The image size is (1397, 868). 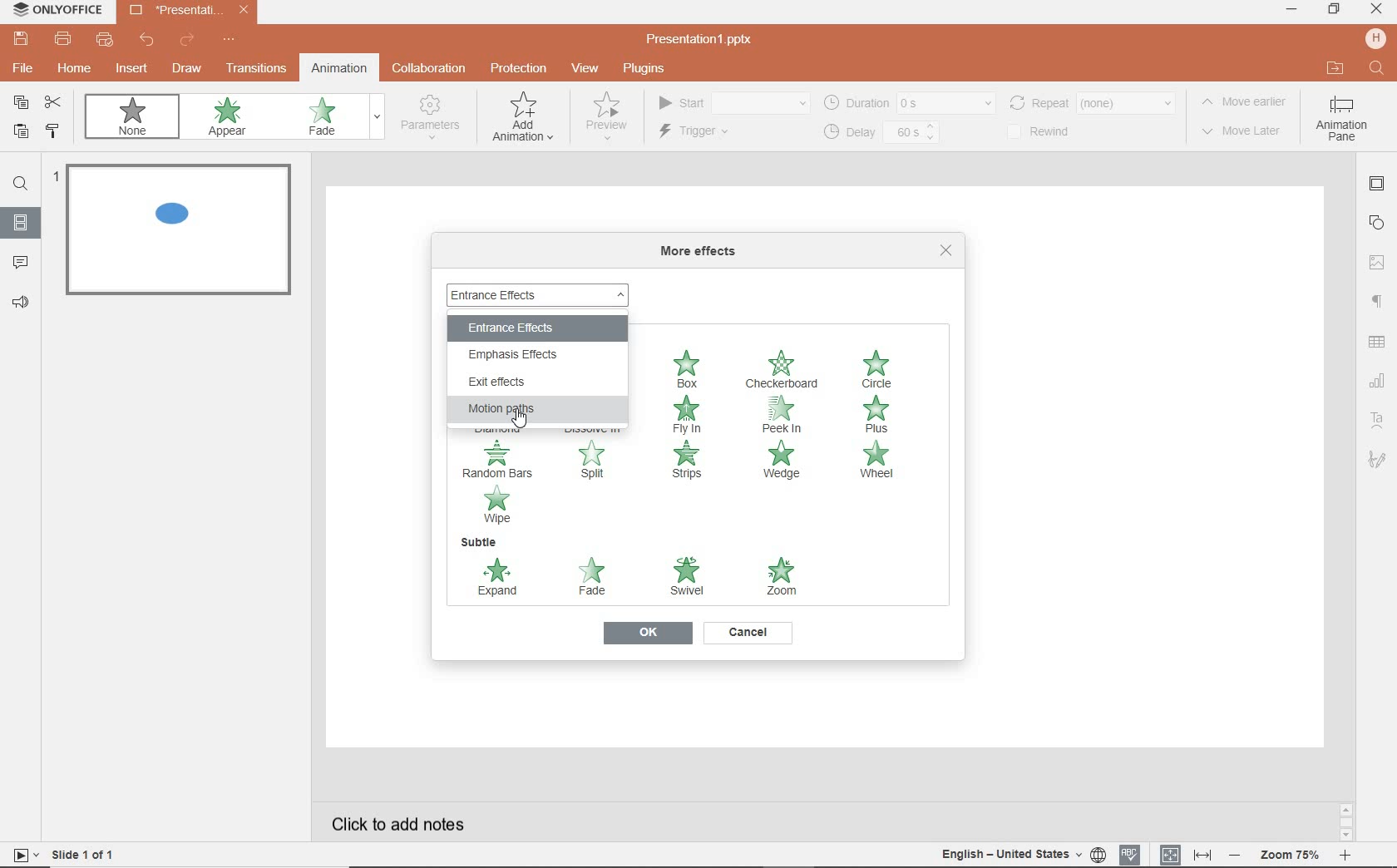 What do you see at coordinates (732, 104) in the screenshot?
I see `start` at bounding box center [732, 104].